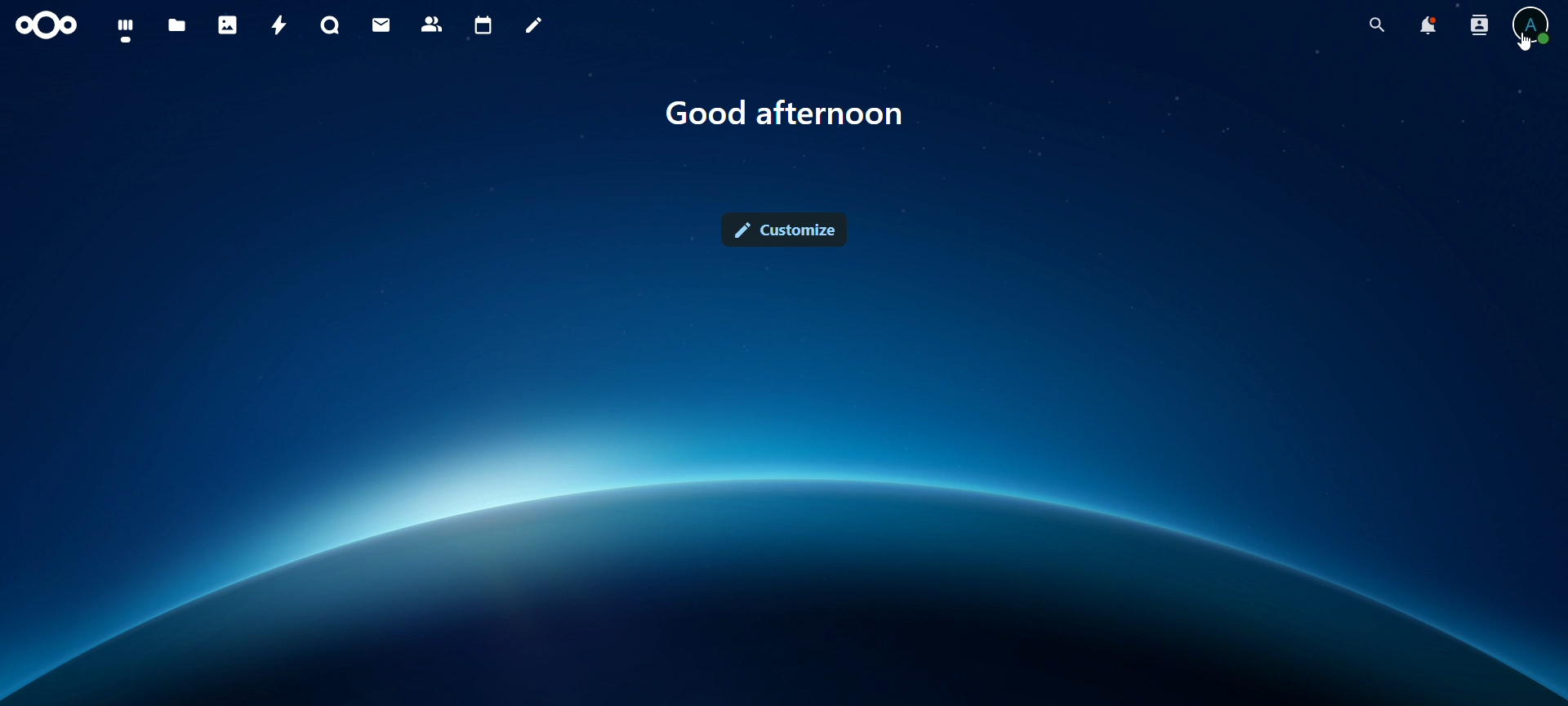 The width and height of the screenshot is (1568, 706). Describe the element at coordinates (433, 22) in the screenshot. I see `contacts` at that location.